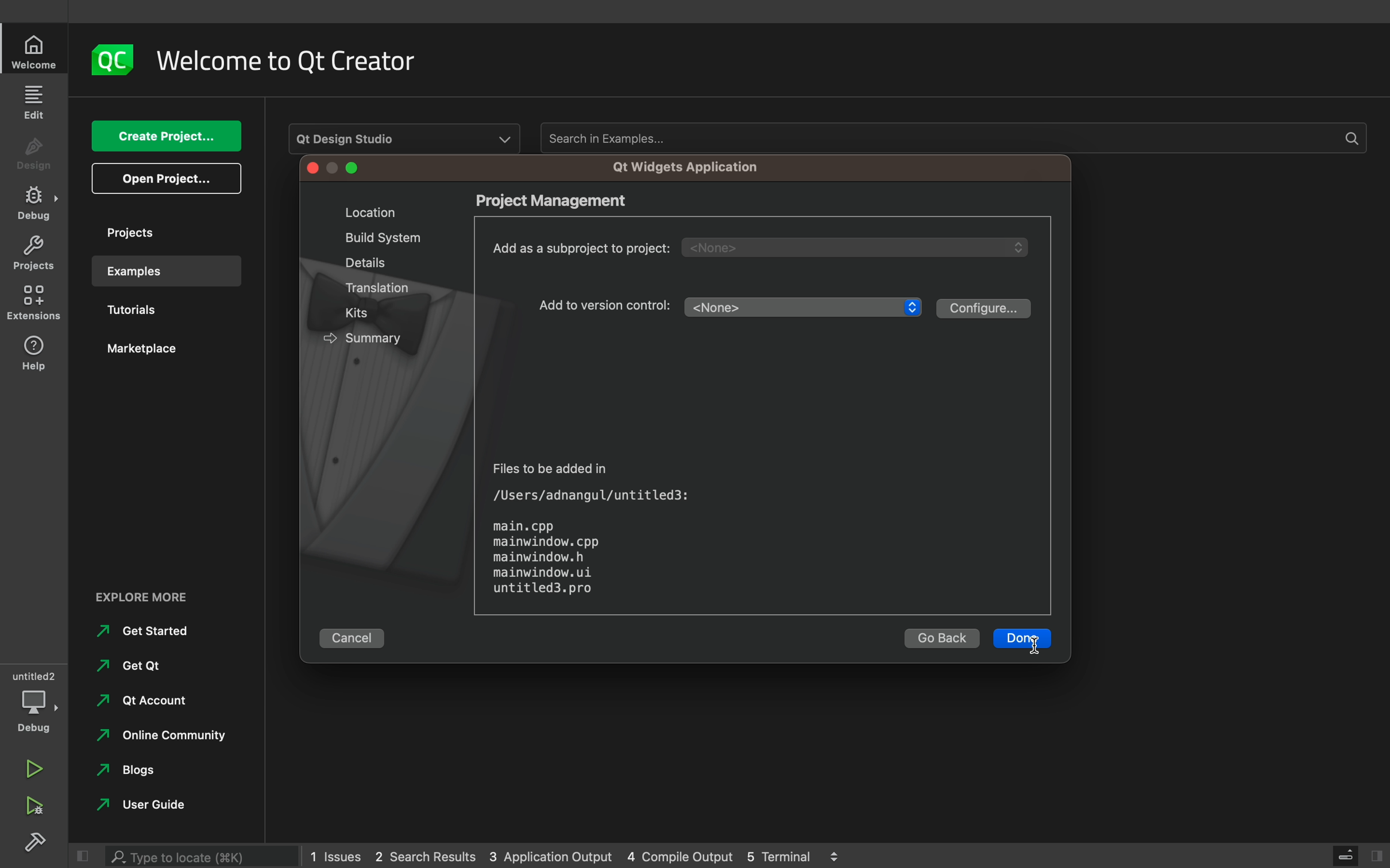  I want to click on debug, so click(38, 702).